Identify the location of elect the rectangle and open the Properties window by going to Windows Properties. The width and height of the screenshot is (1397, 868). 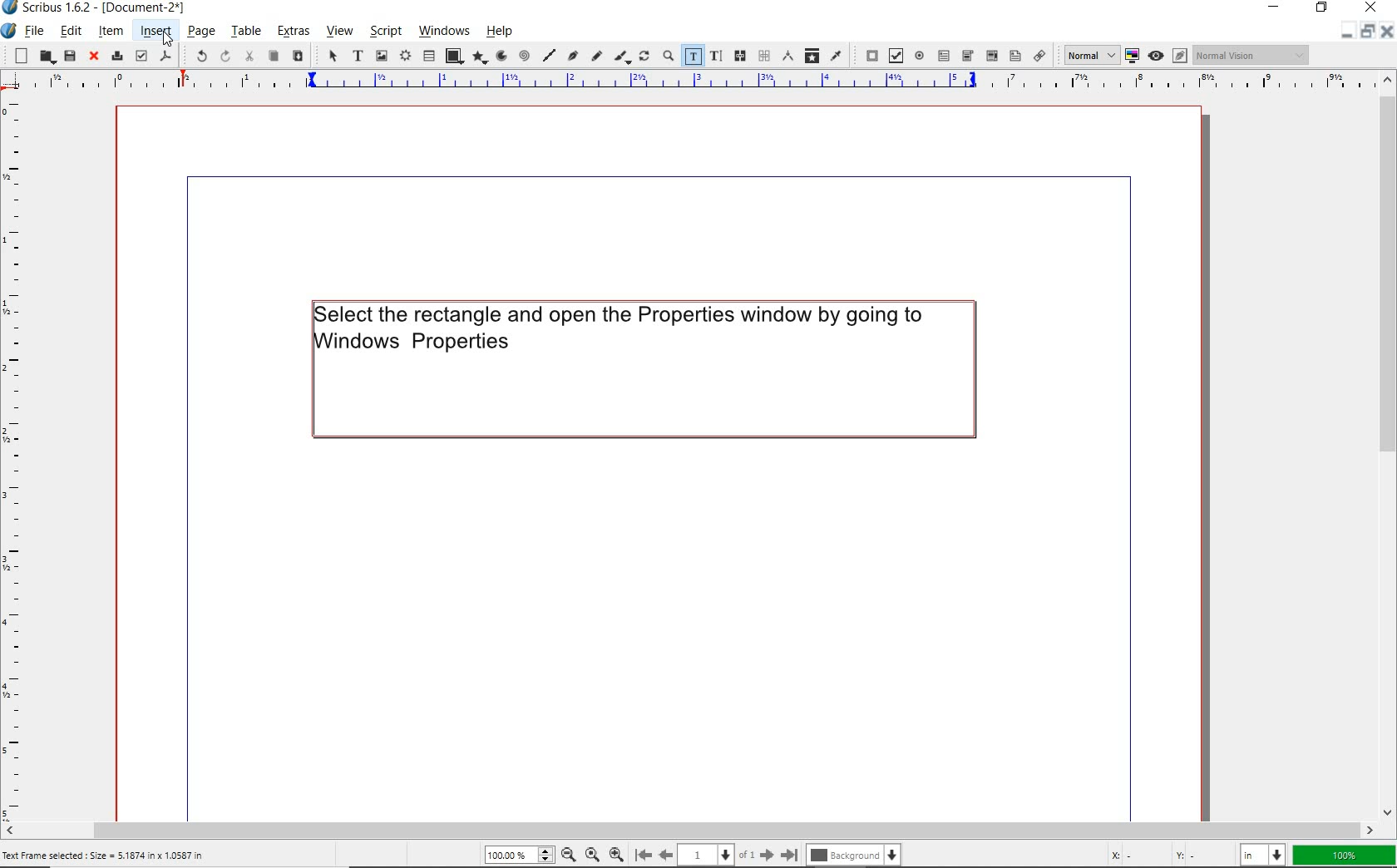
(640, 370).